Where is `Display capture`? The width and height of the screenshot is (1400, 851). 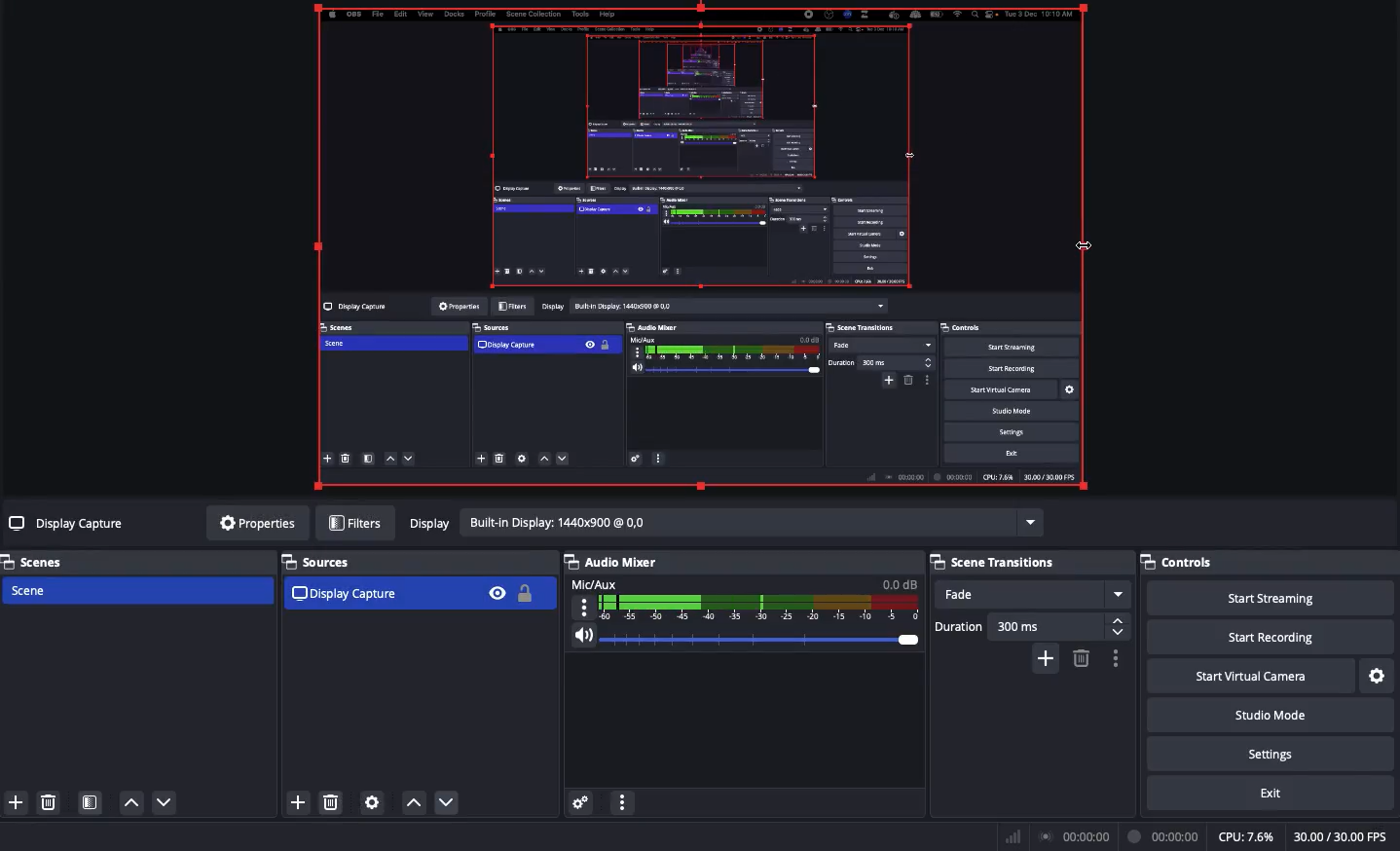 Display capture is located at coordinates (69, 526).